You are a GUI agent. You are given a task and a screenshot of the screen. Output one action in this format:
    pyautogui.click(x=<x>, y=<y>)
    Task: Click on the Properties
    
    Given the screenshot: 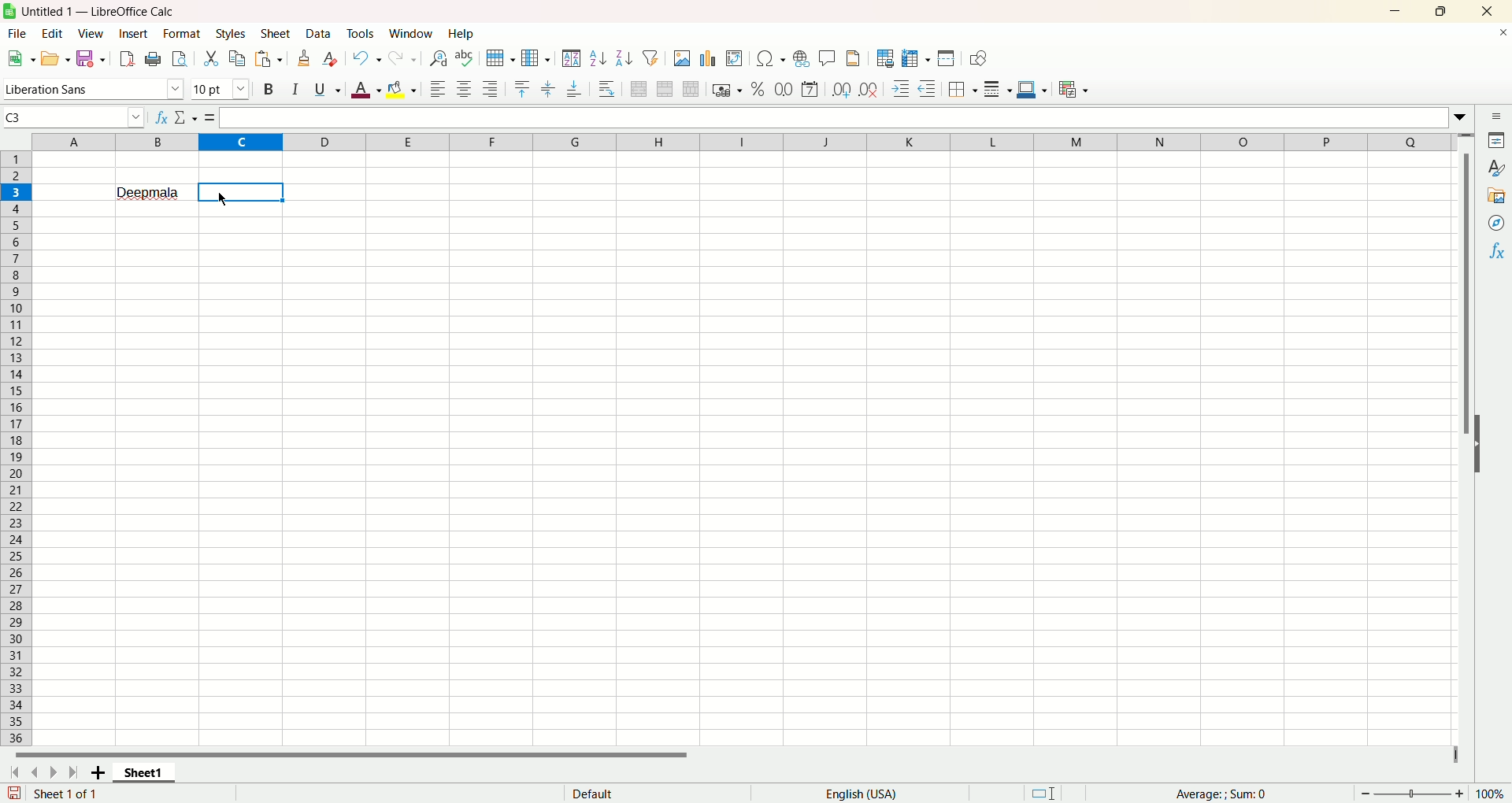 What is the action you would take?
    pyautogui.click(x=1498, y=141)
    